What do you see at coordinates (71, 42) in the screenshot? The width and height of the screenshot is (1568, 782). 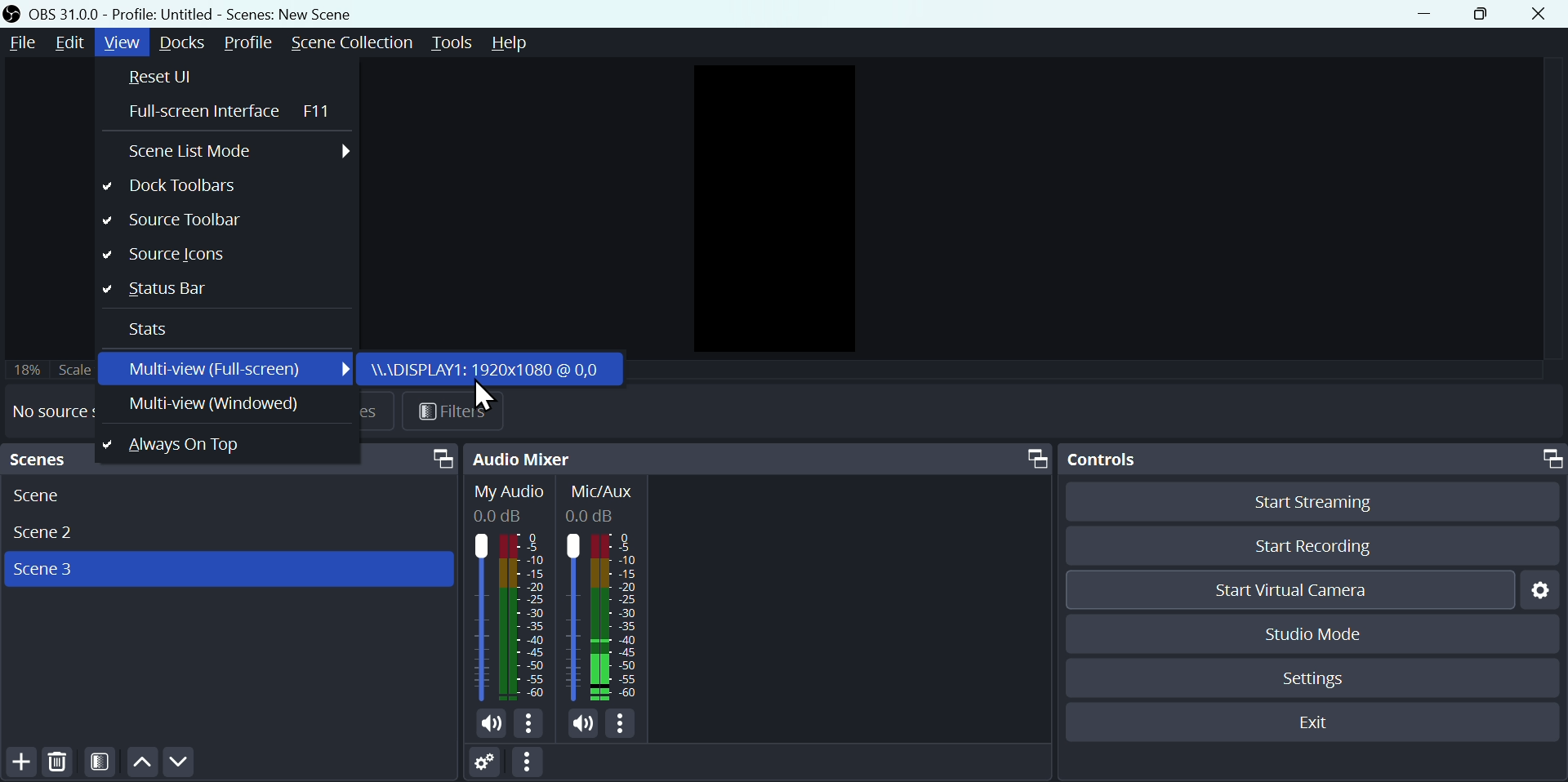 I see `Edit` at bounding box center [71, 42].